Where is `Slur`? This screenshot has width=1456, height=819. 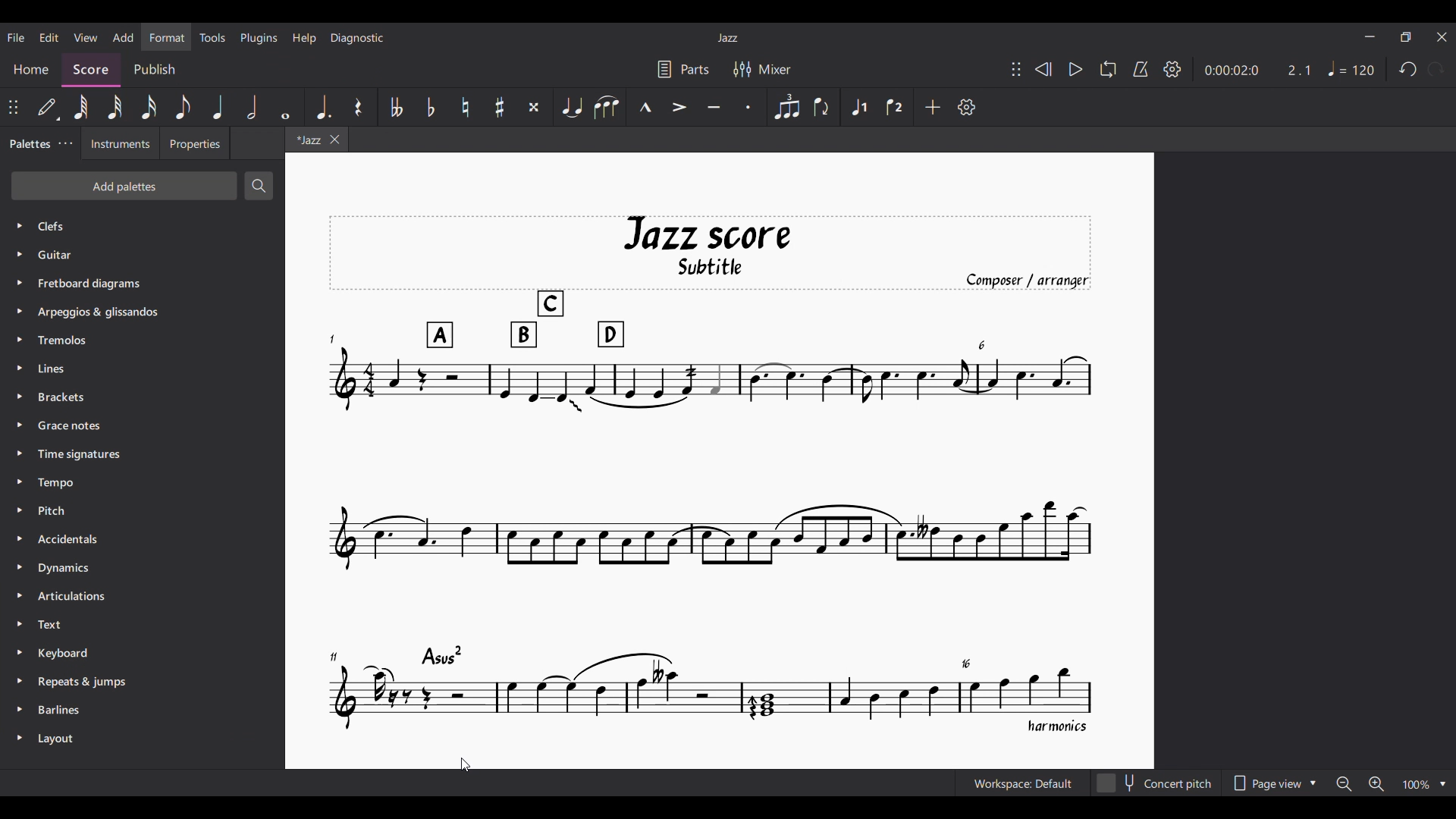
Slur is located at coordinates (607, 107).